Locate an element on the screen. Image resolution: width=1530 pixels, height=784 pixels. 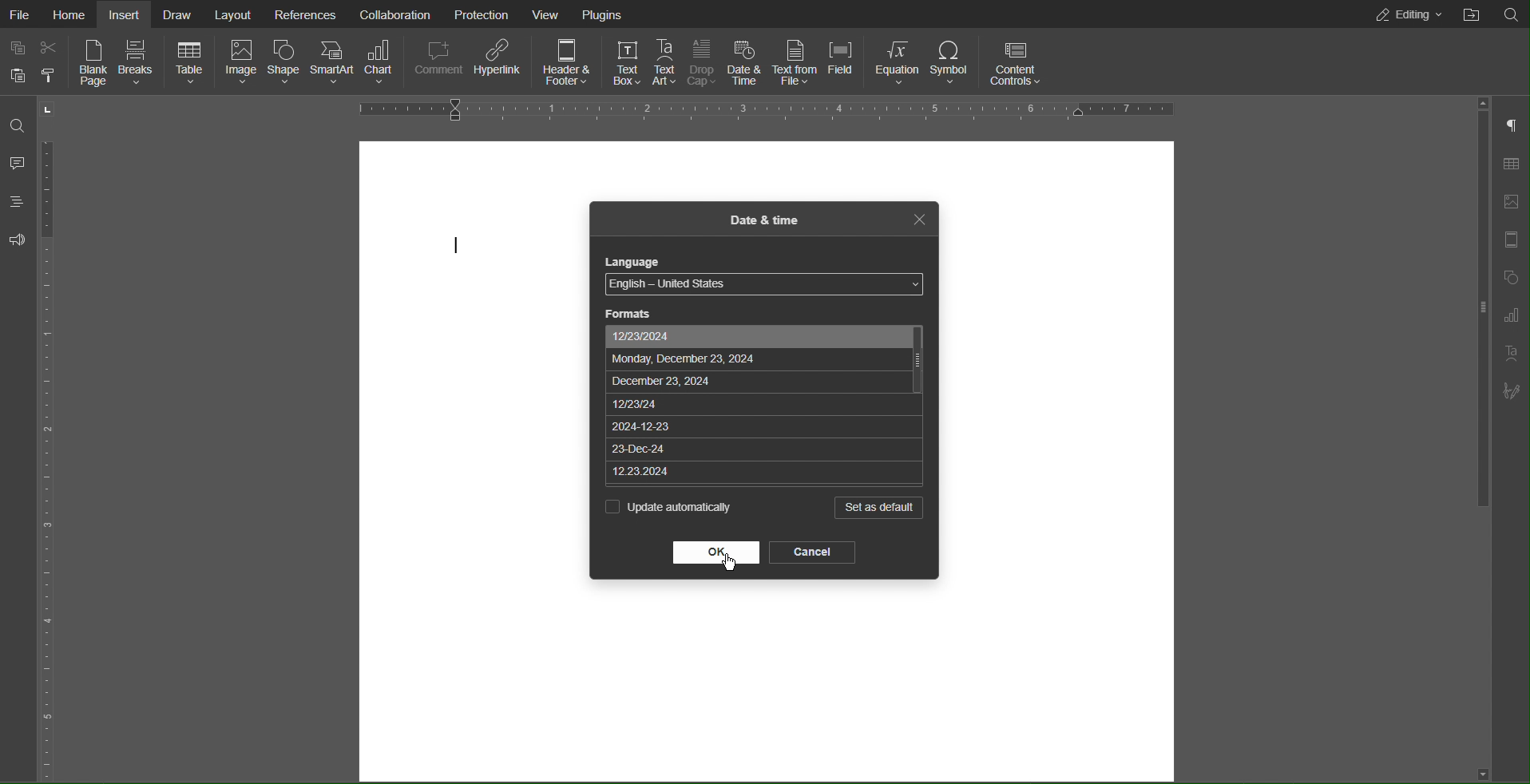
Language is located at coordinates (636, 262).